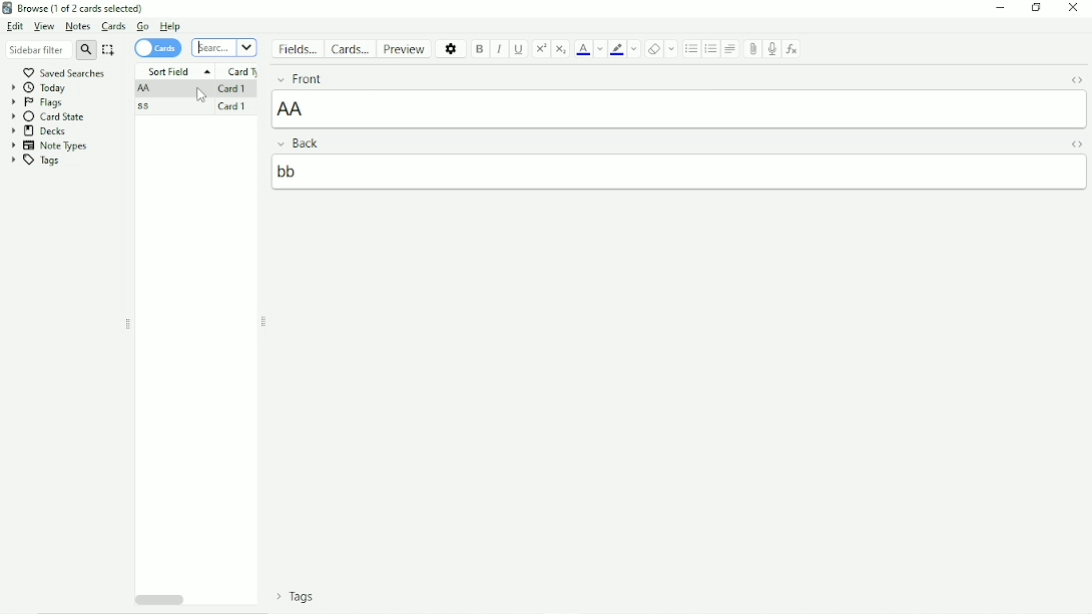 The image size is (1092, 614). What do you see at coordinates (1078, 80) in the screenshot?
I see `Toggle HTML Editor` at bounding box center [1078, 80].